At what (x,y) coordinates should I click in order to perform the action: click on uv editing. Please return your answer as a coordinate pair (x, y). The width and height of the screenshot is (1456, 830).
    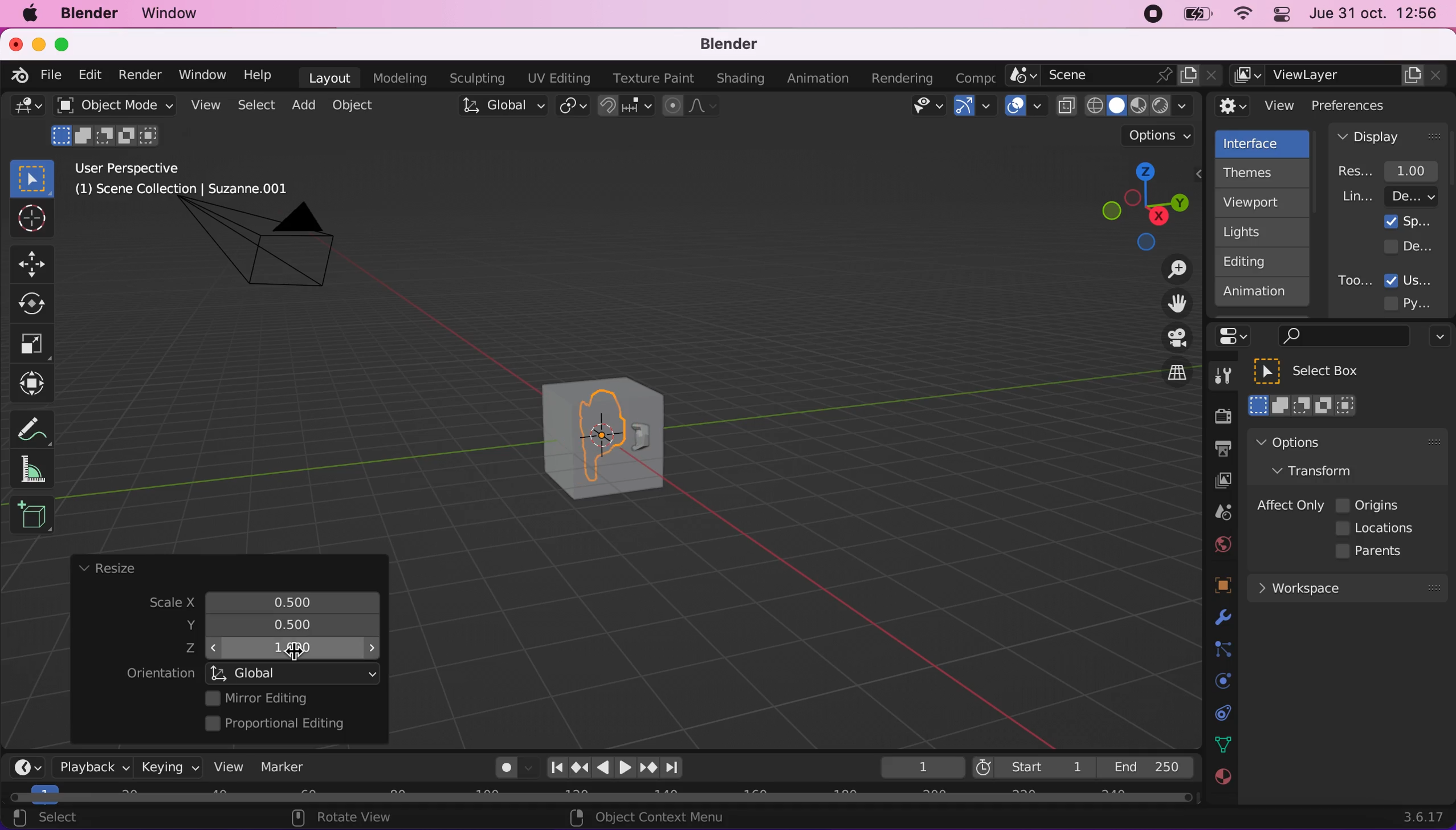
    Looking at the image, I should click on (558, 78).